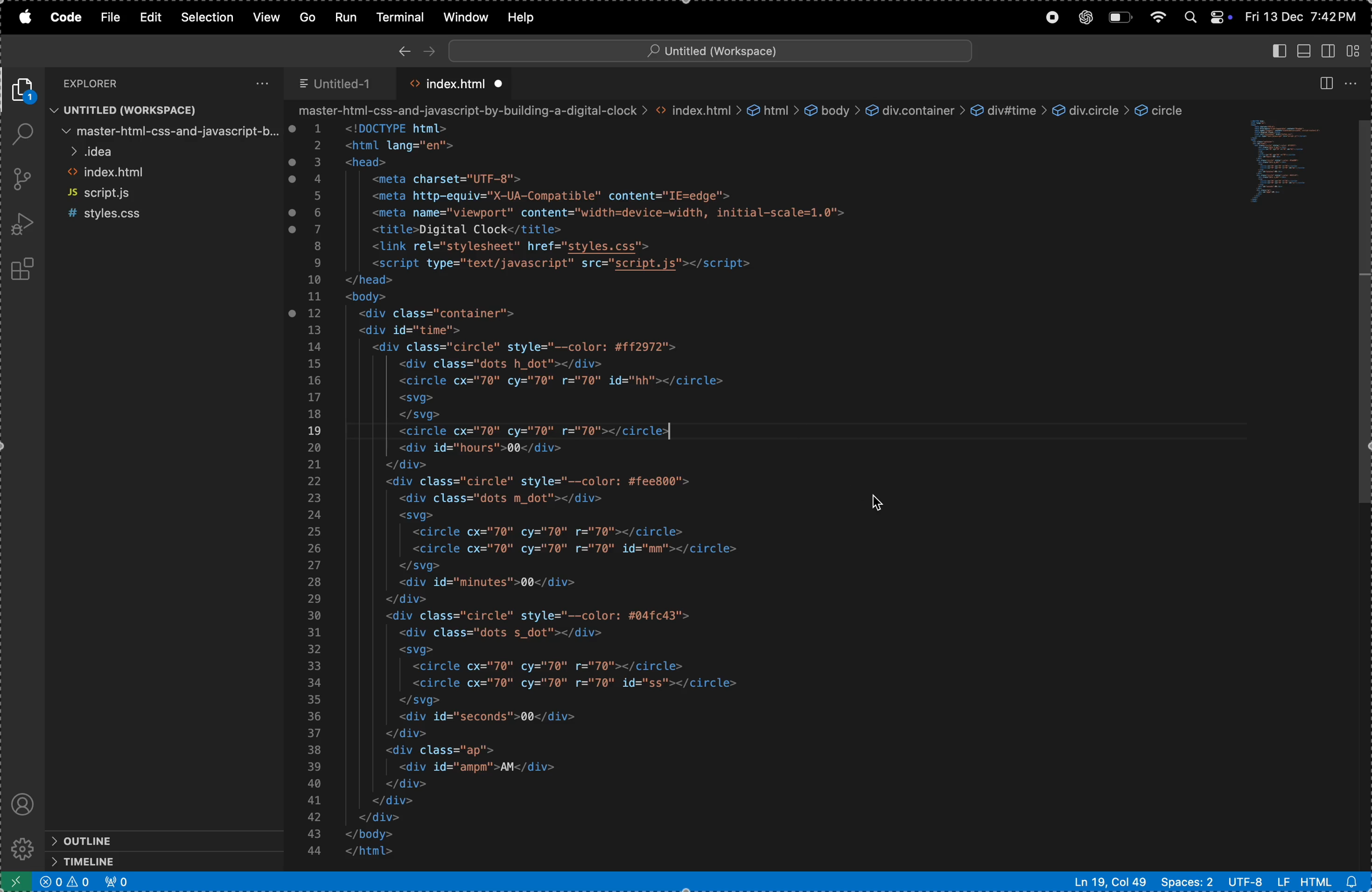 The image size is (1372, 892). What do you see at coordinates (110, 18) in the screenshot?
I see `file` at bounding box center [110, 18].